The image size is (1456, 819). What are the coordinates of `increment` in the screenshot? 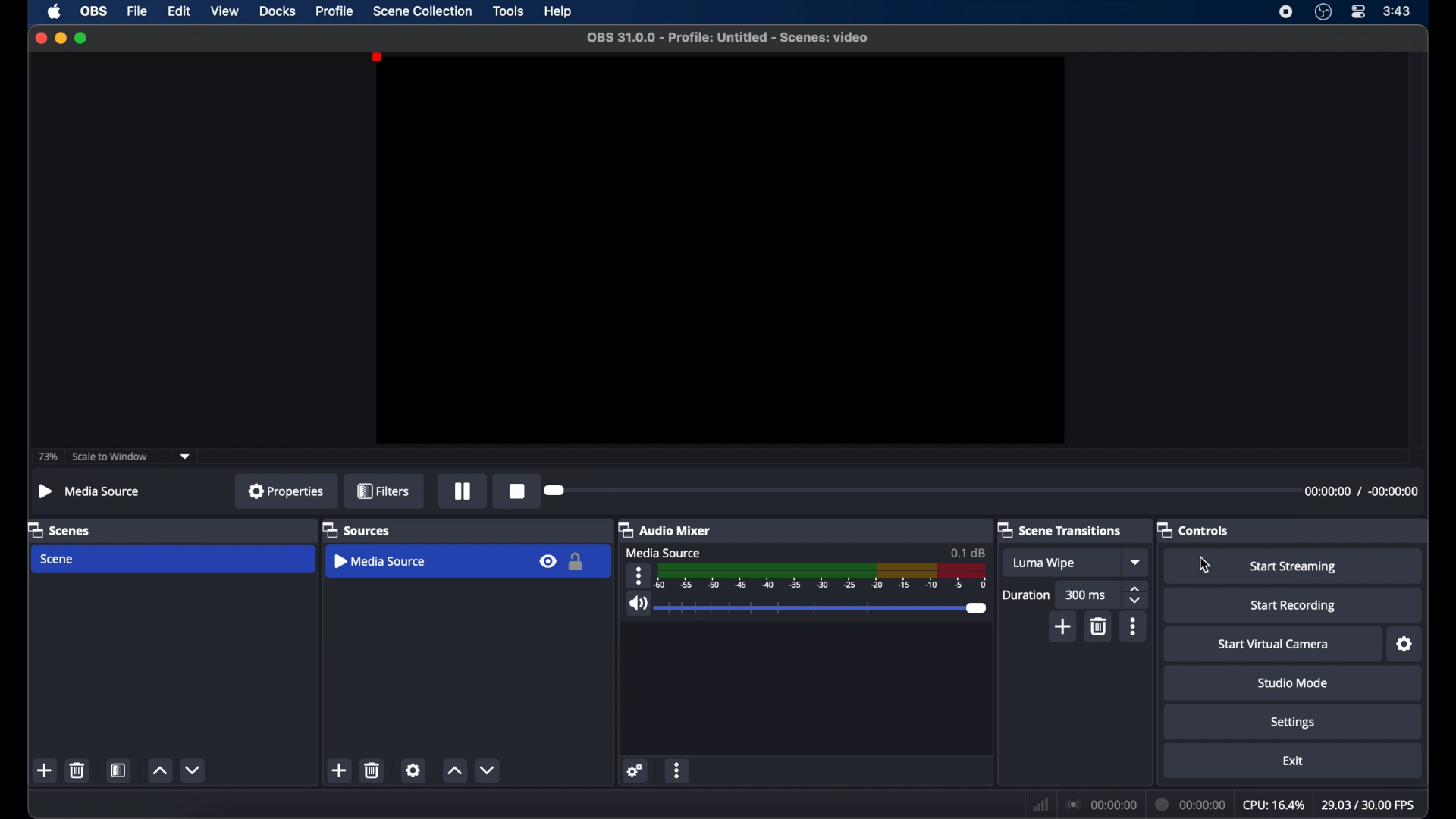 It's located at (159, 770).